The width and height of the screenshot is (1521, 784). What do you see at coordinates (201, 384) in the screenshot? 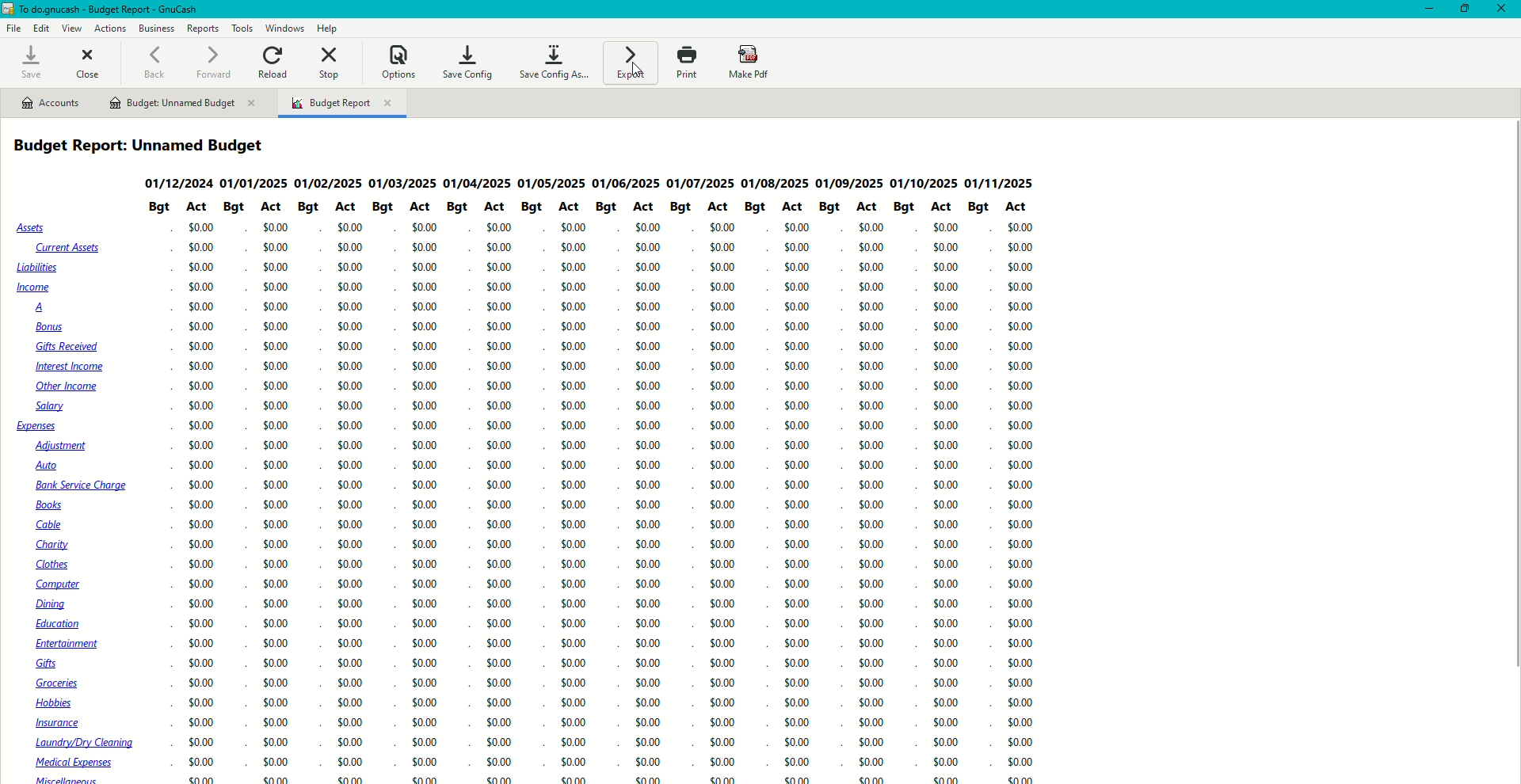
I see `0.00` at bounding box center [201, 384].